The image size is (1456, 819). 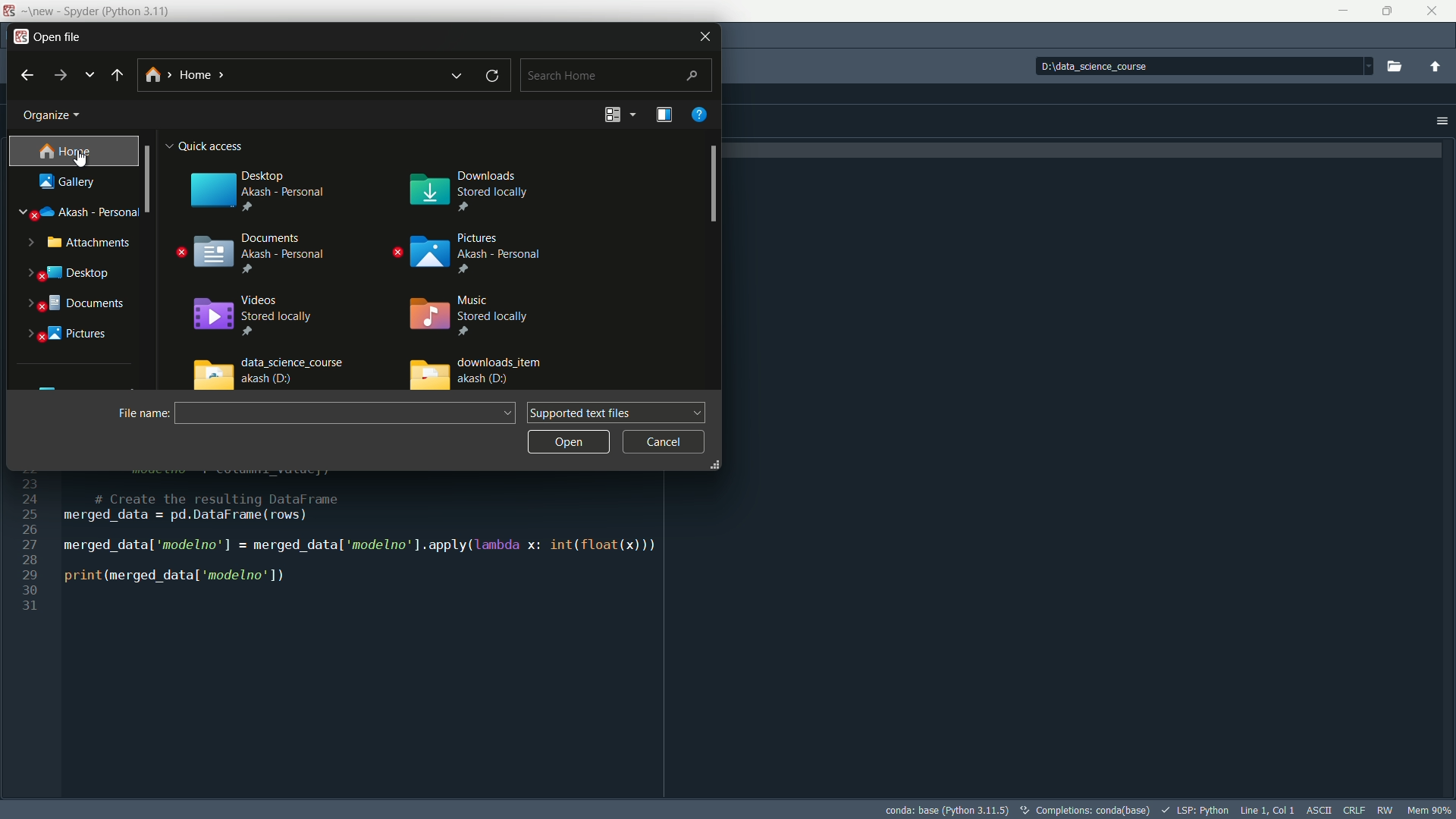 What do you see at coordinates (90, 243) in the screenshot?
I see `attachments` at bounding box center [90, 243].